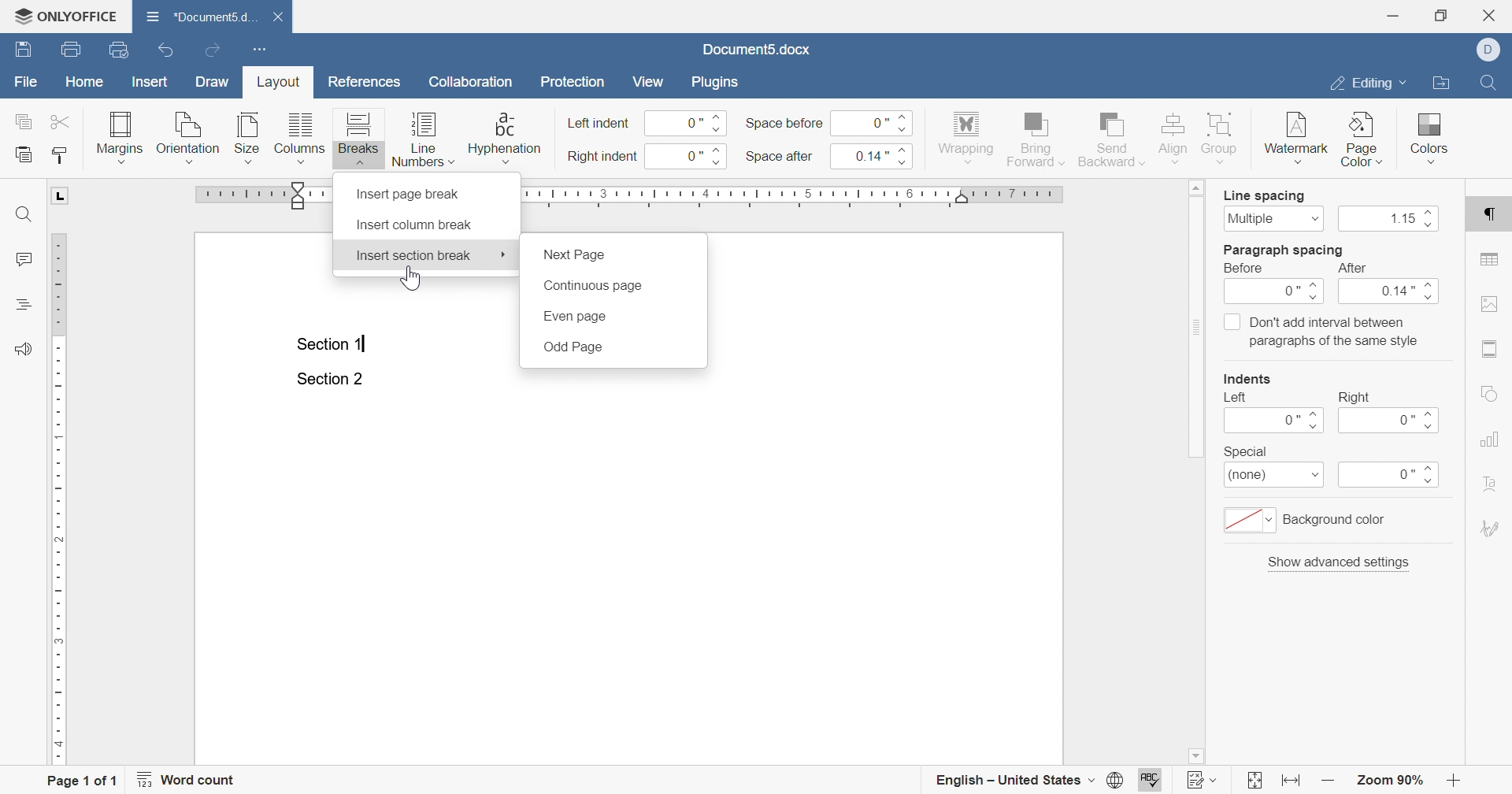  Describe the element at coordinates (1392, 220) in the screenshot. I see `1.15` at that location.